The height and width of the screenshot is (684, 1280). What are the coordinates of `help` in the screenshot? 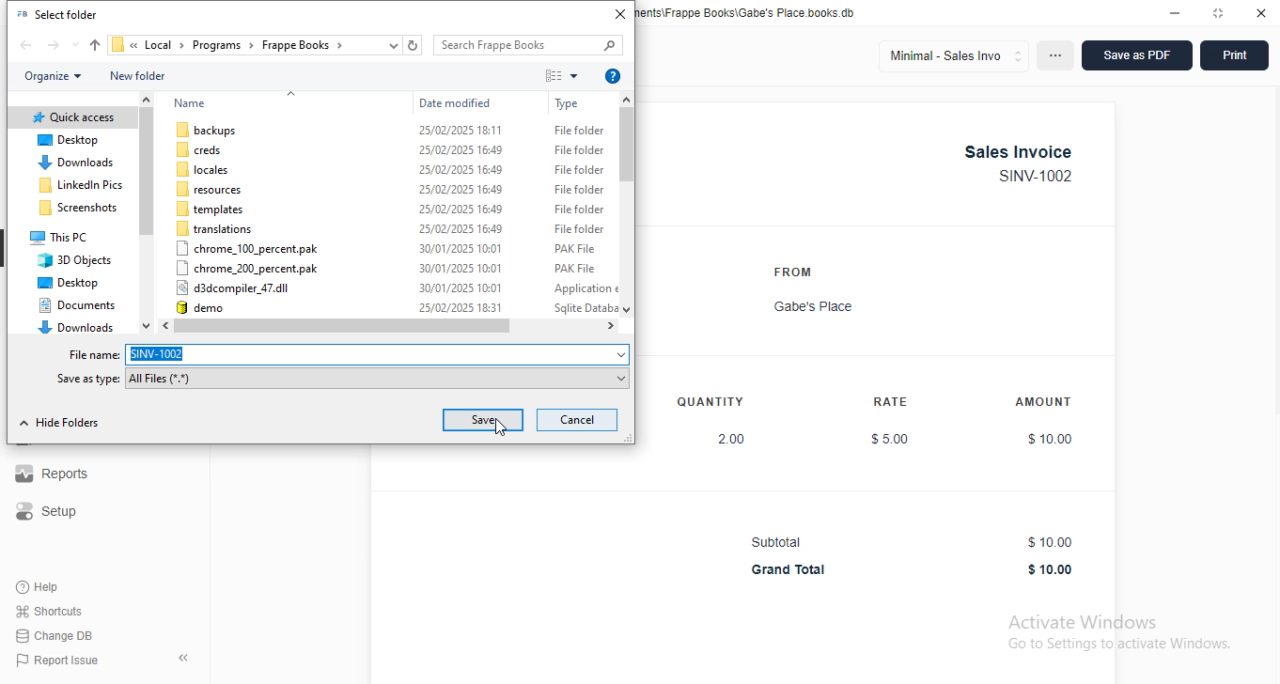 It's located at (39, 587).